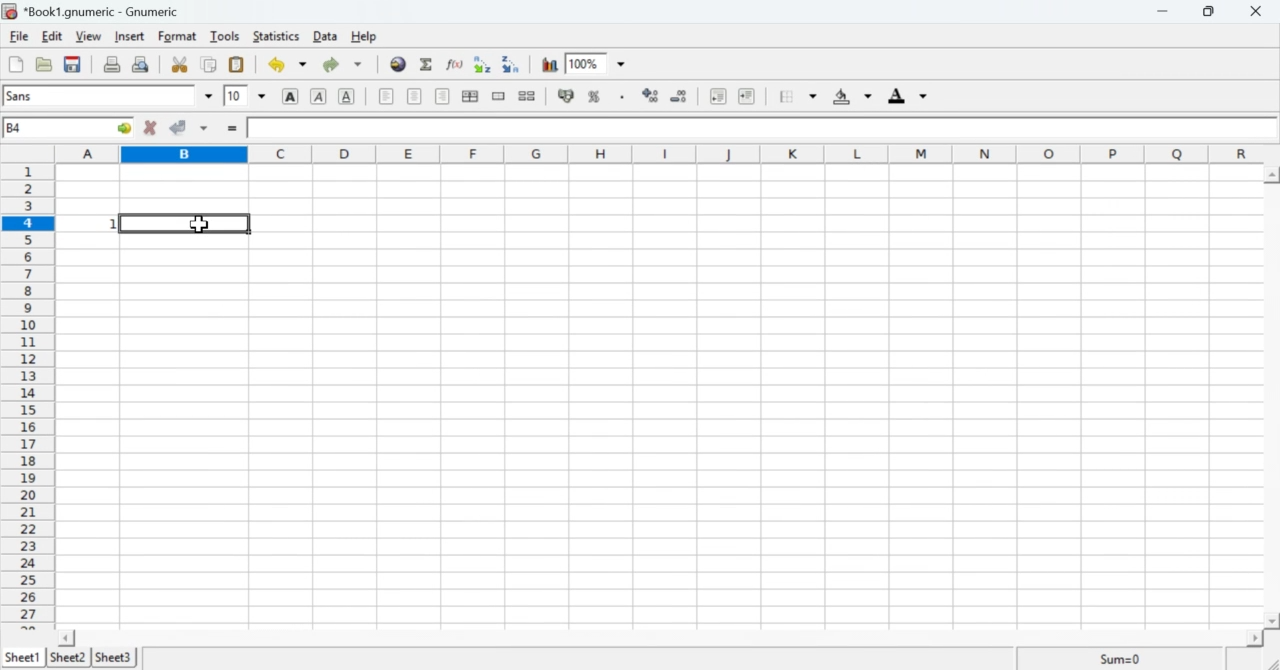 Image resolution: width=1280 pixels, height=670 pixels. I want to click on cursor, so click(198, 226).